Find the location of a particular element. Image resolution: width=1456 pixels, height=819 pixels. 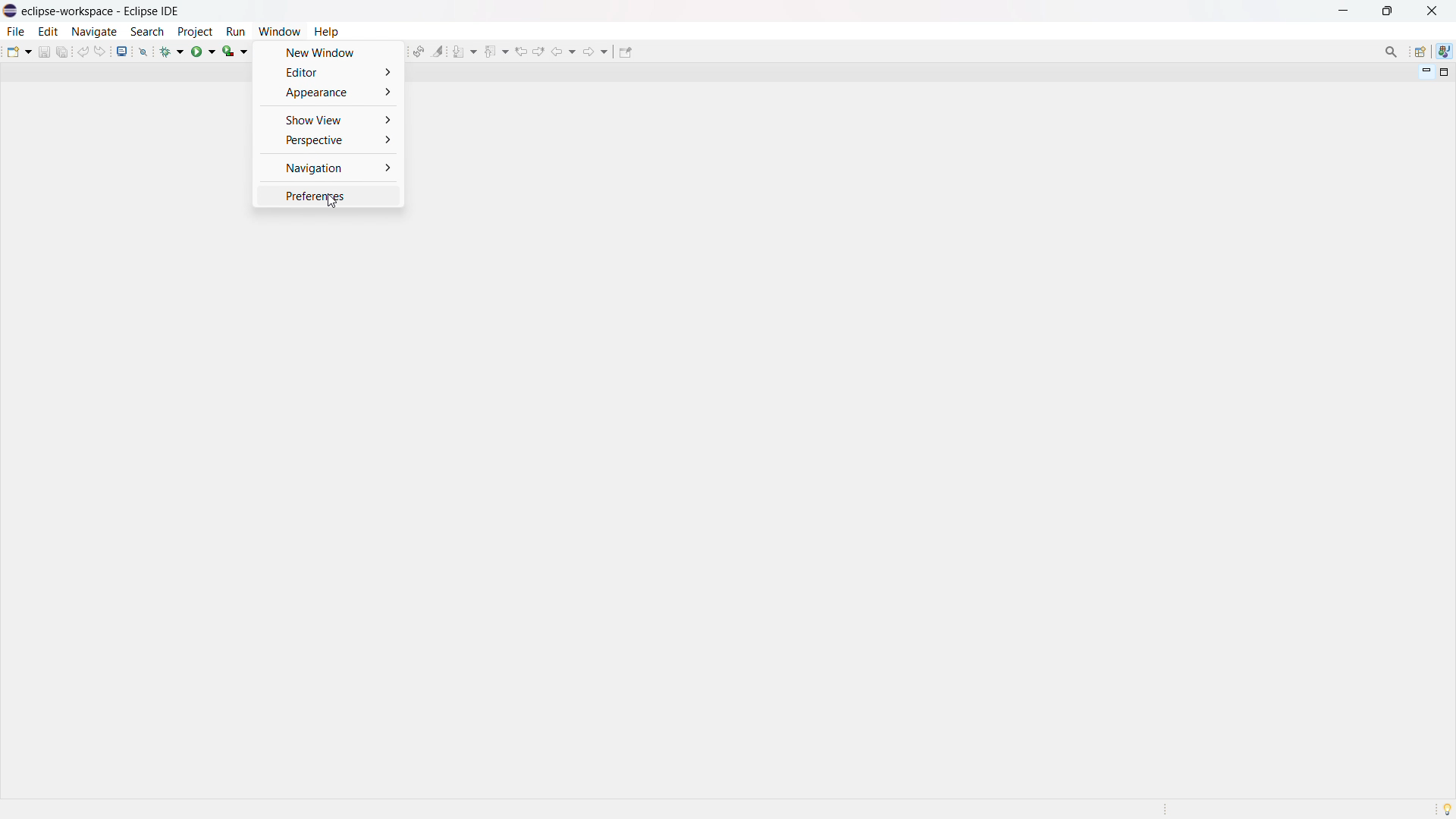

run is located at coordinates (235, 32).